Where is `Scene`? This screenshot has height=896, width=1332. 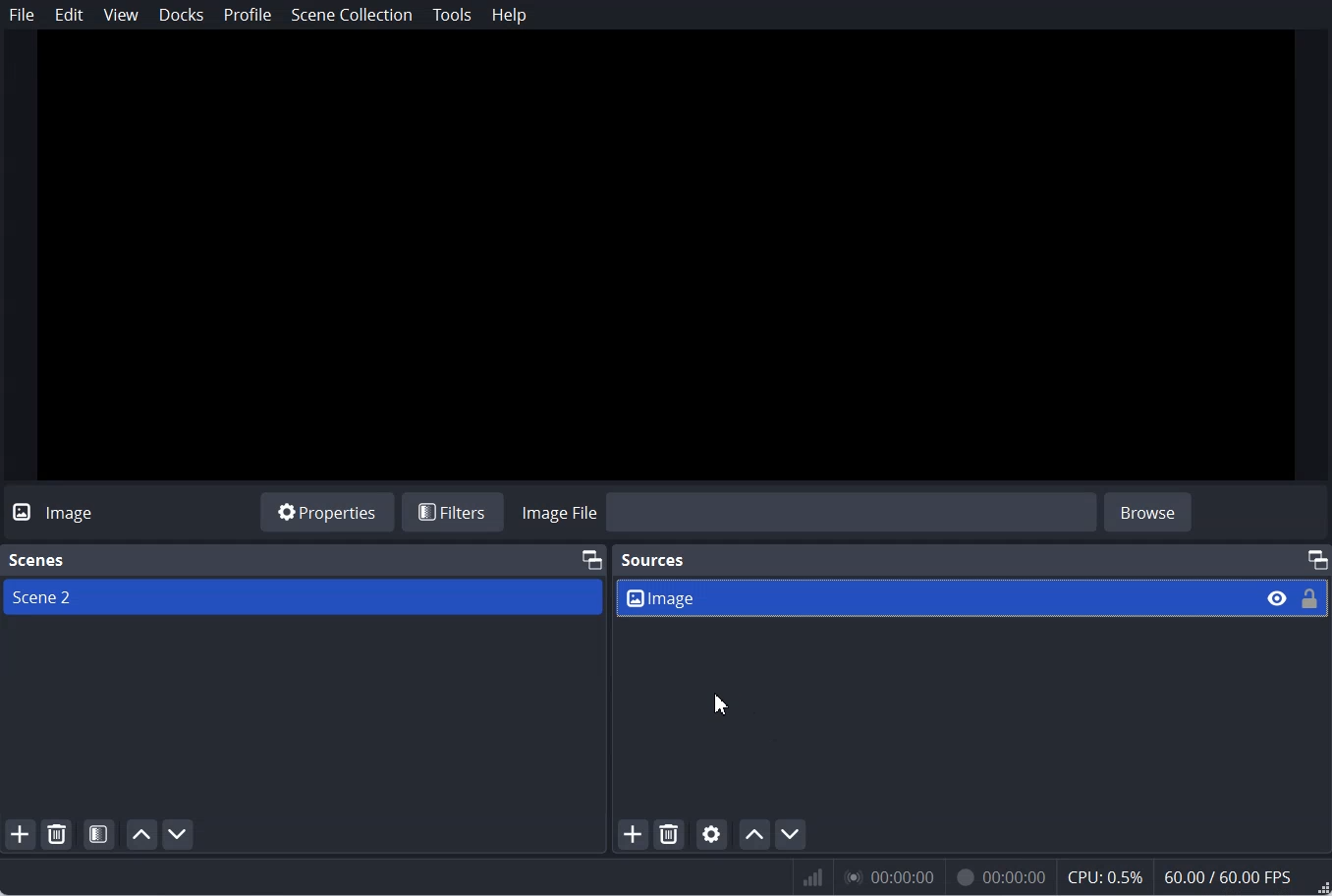 Scene is located at coordinates (303, 597).